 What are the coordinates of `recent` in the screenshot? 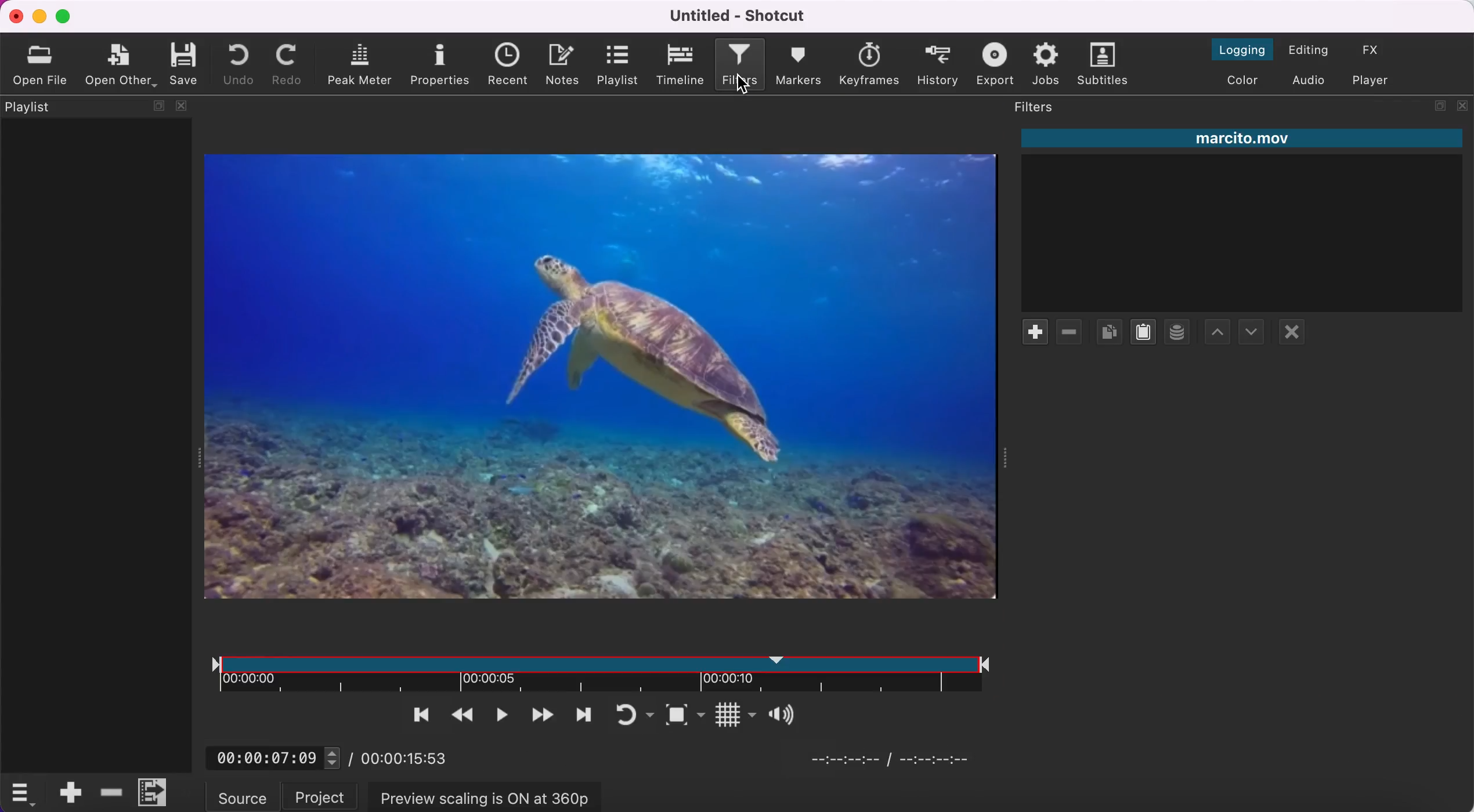 It's located at (507, 66).